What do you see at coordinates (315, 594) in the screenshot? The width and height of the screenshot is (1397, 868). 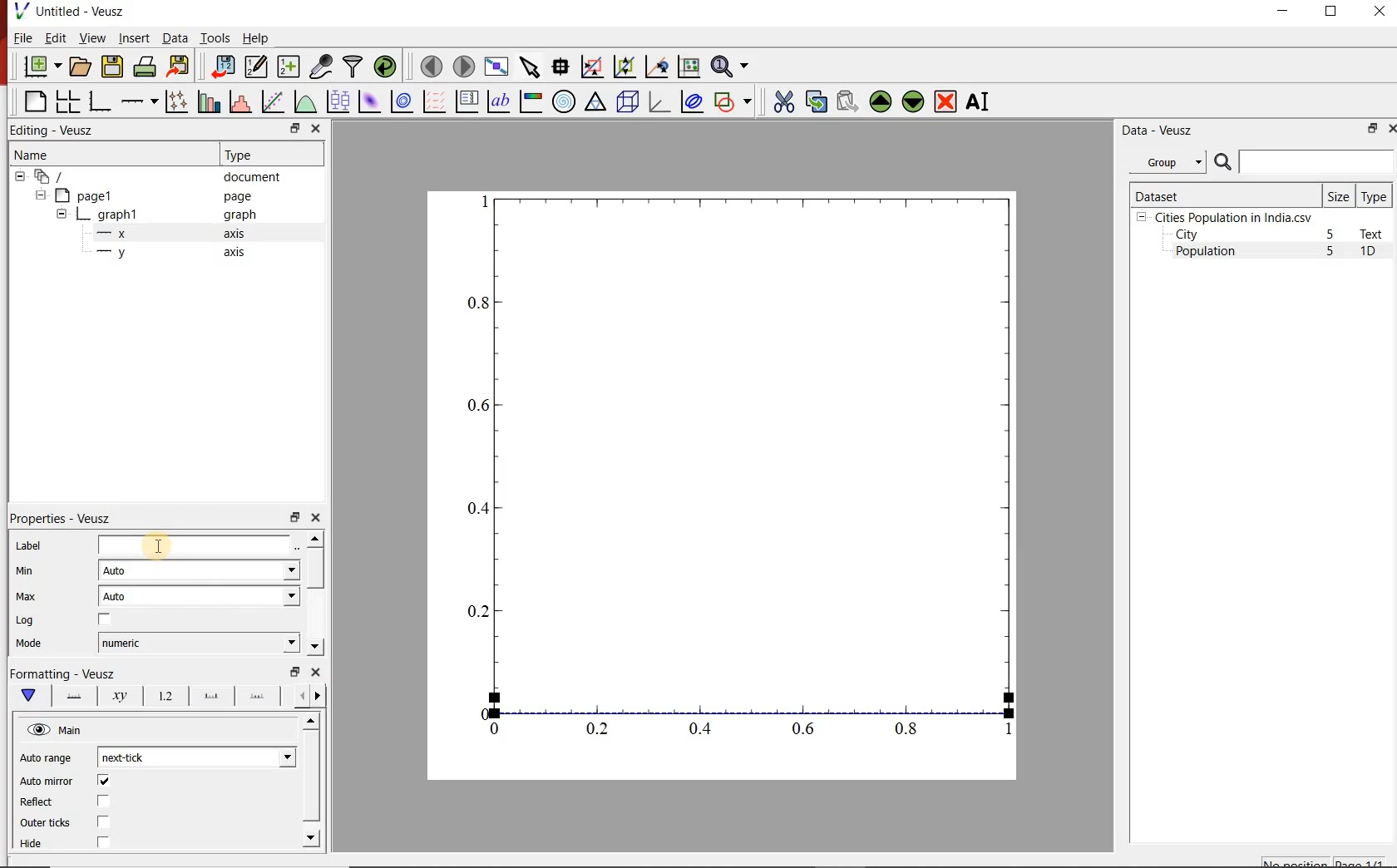 I see `scrollbar` at bounding box center [315, 594].